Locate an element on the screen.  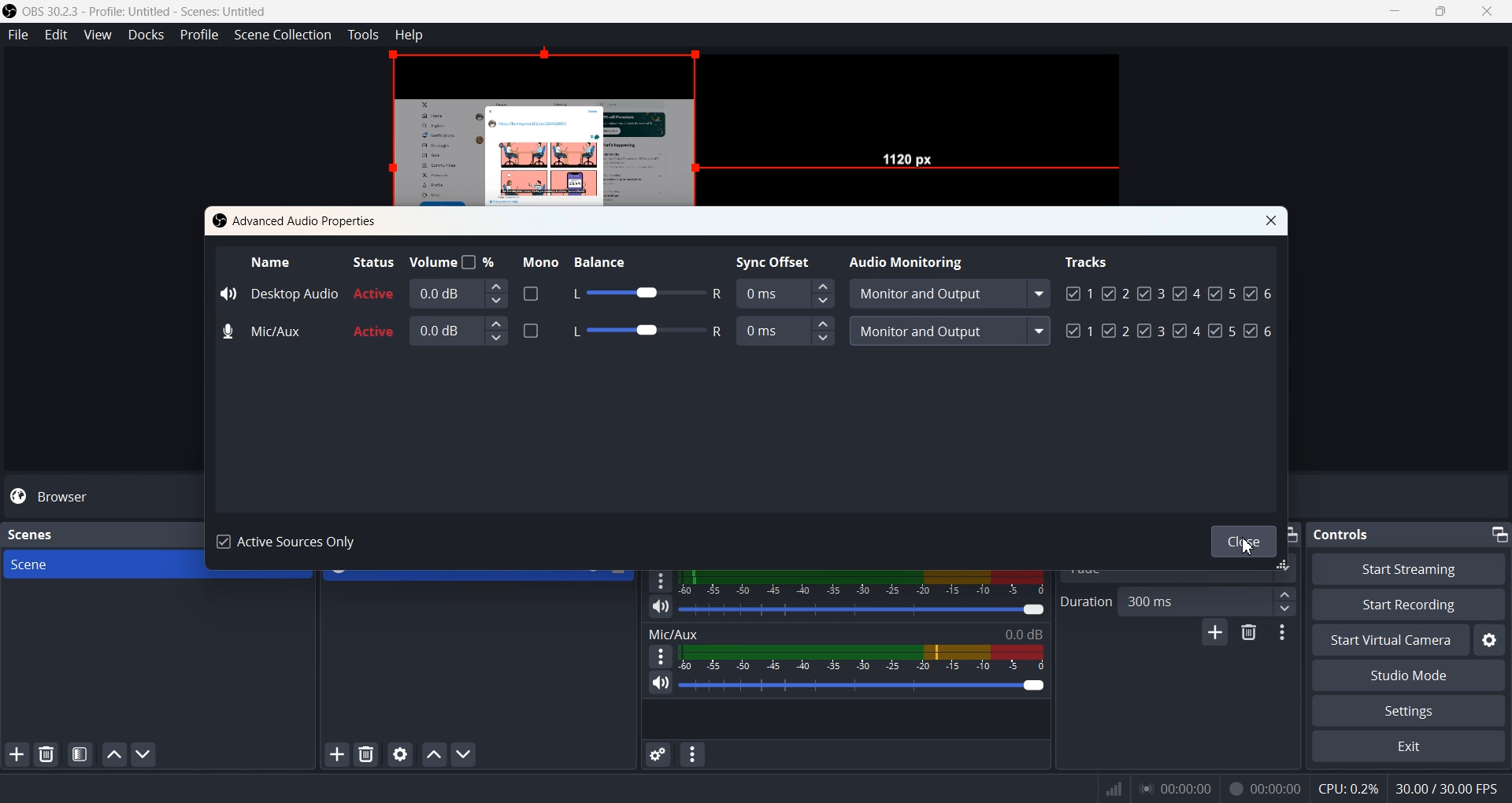
0.0 dB is located at coordinates (458, 293).